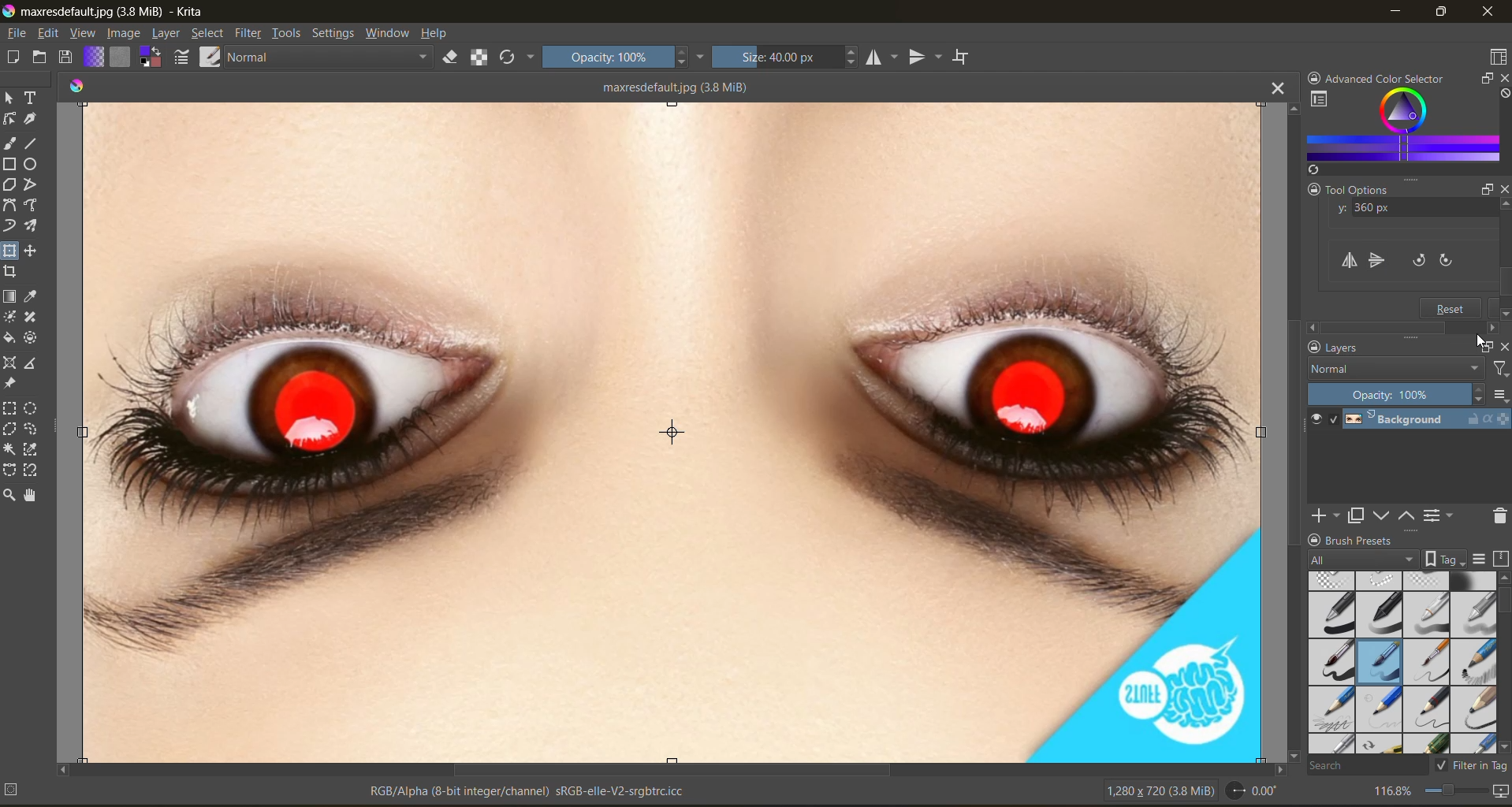 The image size is (1512, 807). I want to click on filter in tag, so click(1473, 765).